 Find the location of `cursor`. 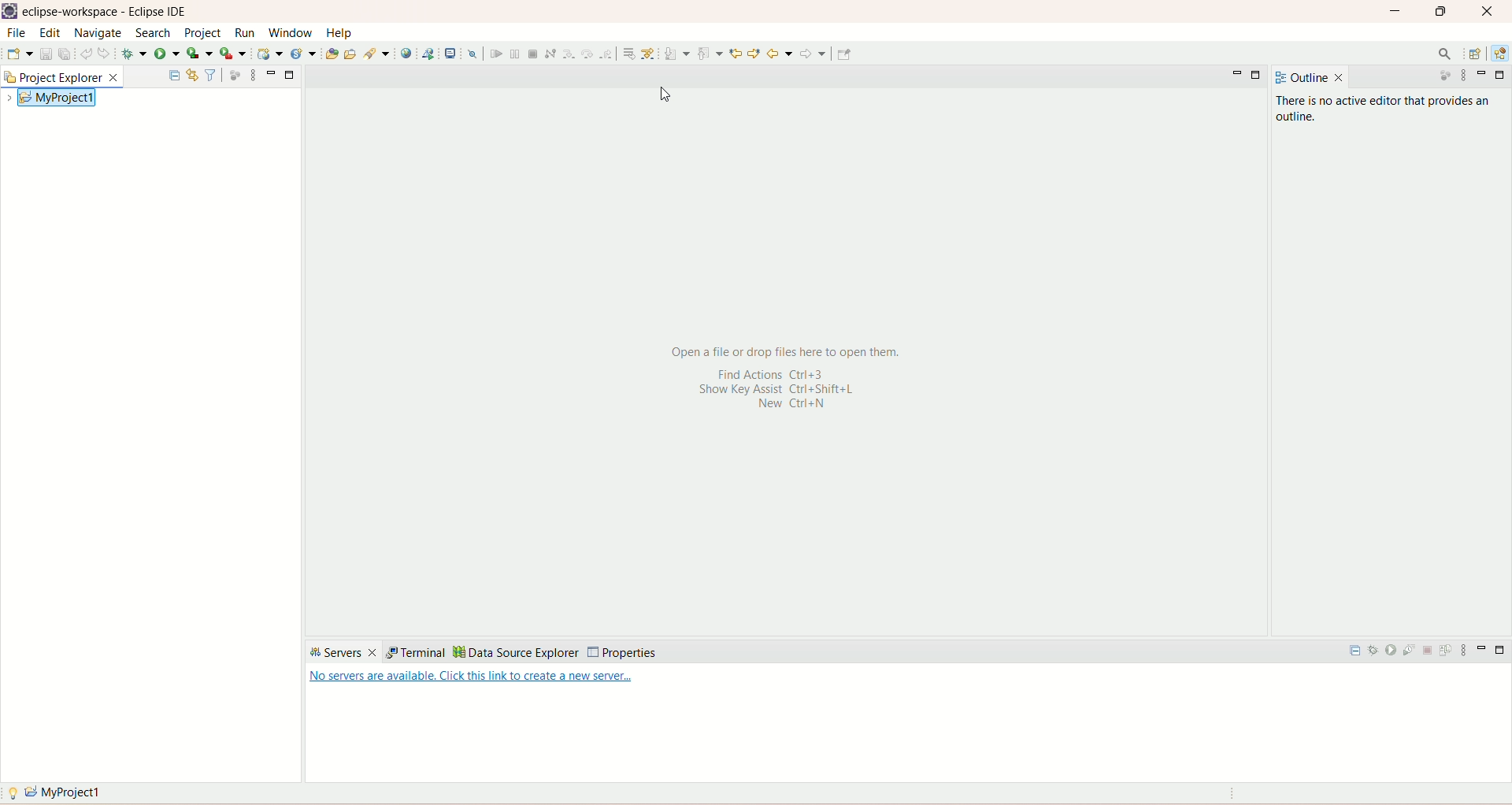

cursor is located at coordinates (675, 100).